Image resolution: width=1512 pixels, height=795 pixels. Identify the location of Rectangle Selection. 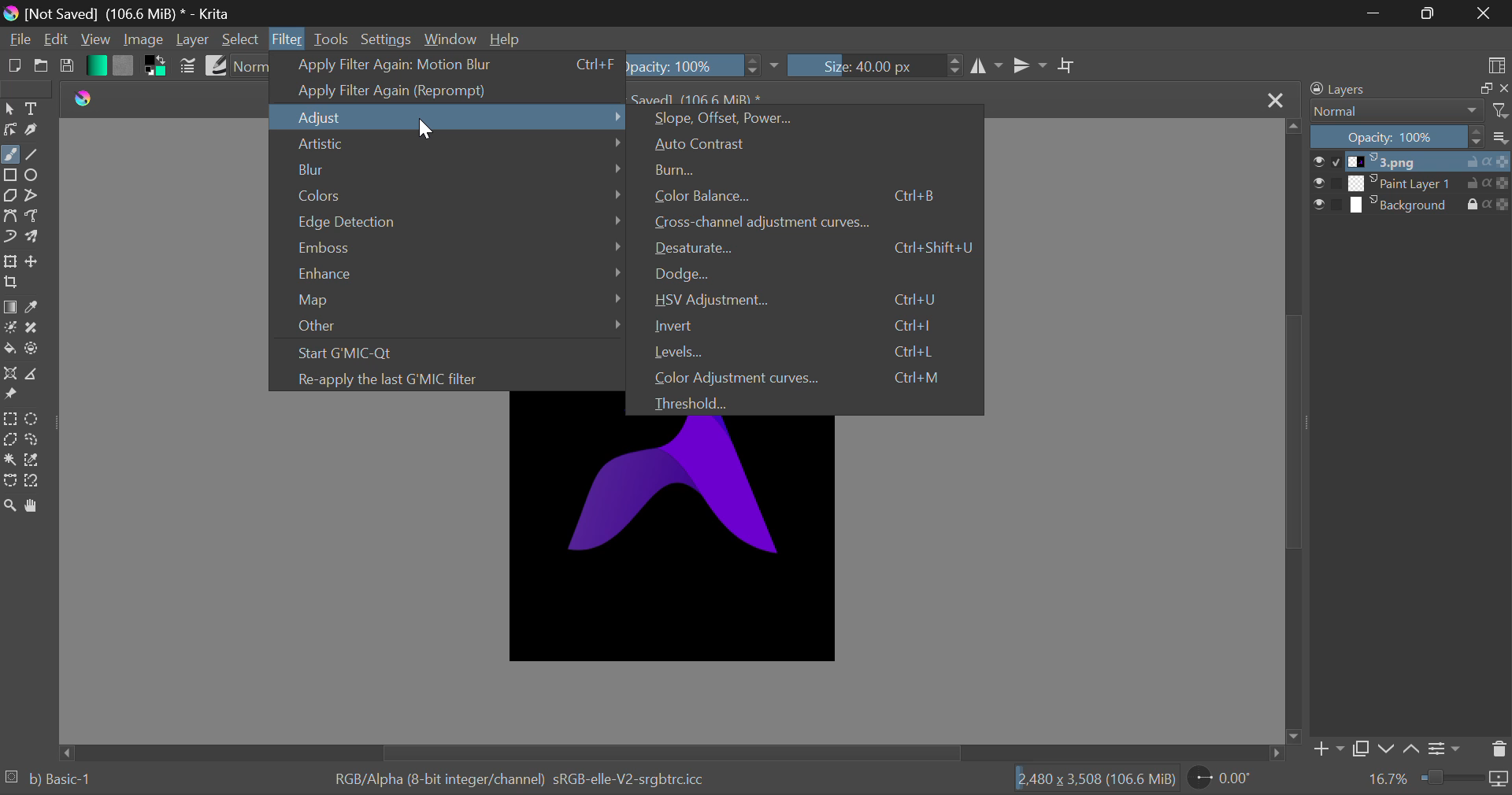
(9, 419).